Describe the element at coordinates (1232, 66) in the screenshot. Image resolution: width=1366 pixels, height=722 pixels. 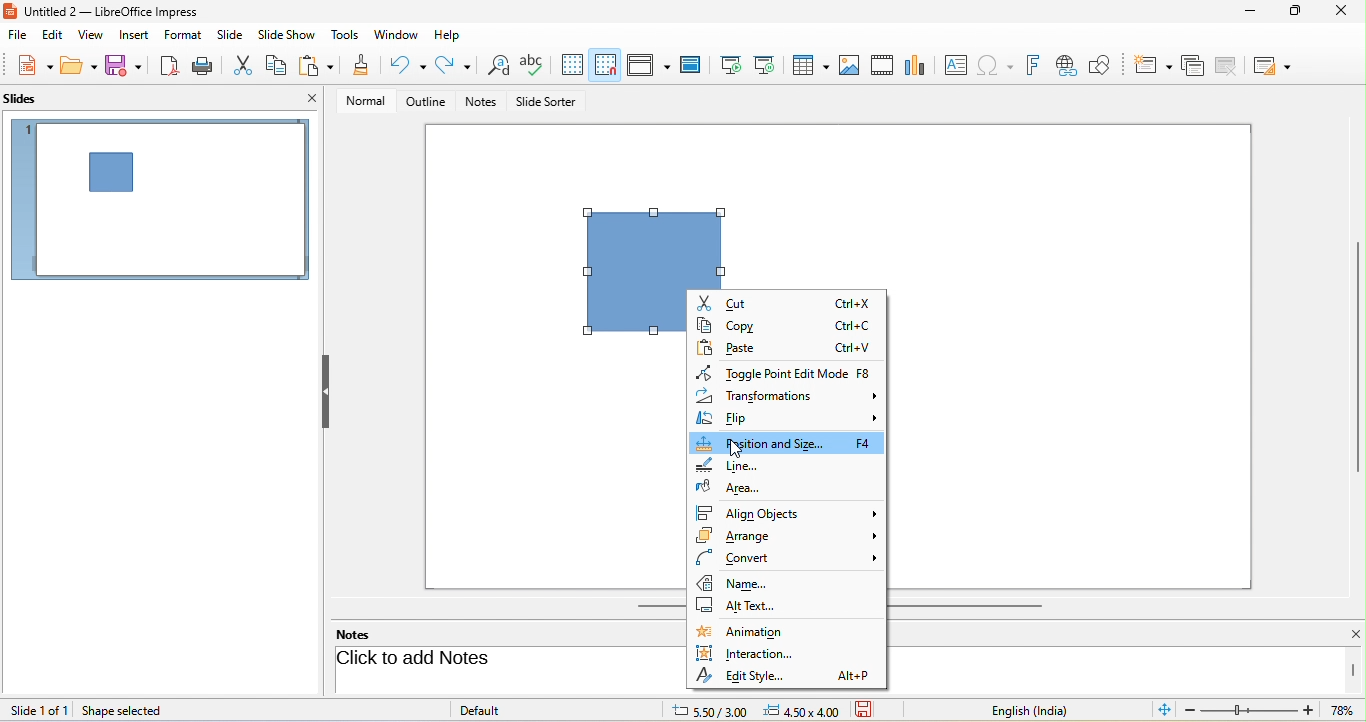
I see `delete slide` at that location.